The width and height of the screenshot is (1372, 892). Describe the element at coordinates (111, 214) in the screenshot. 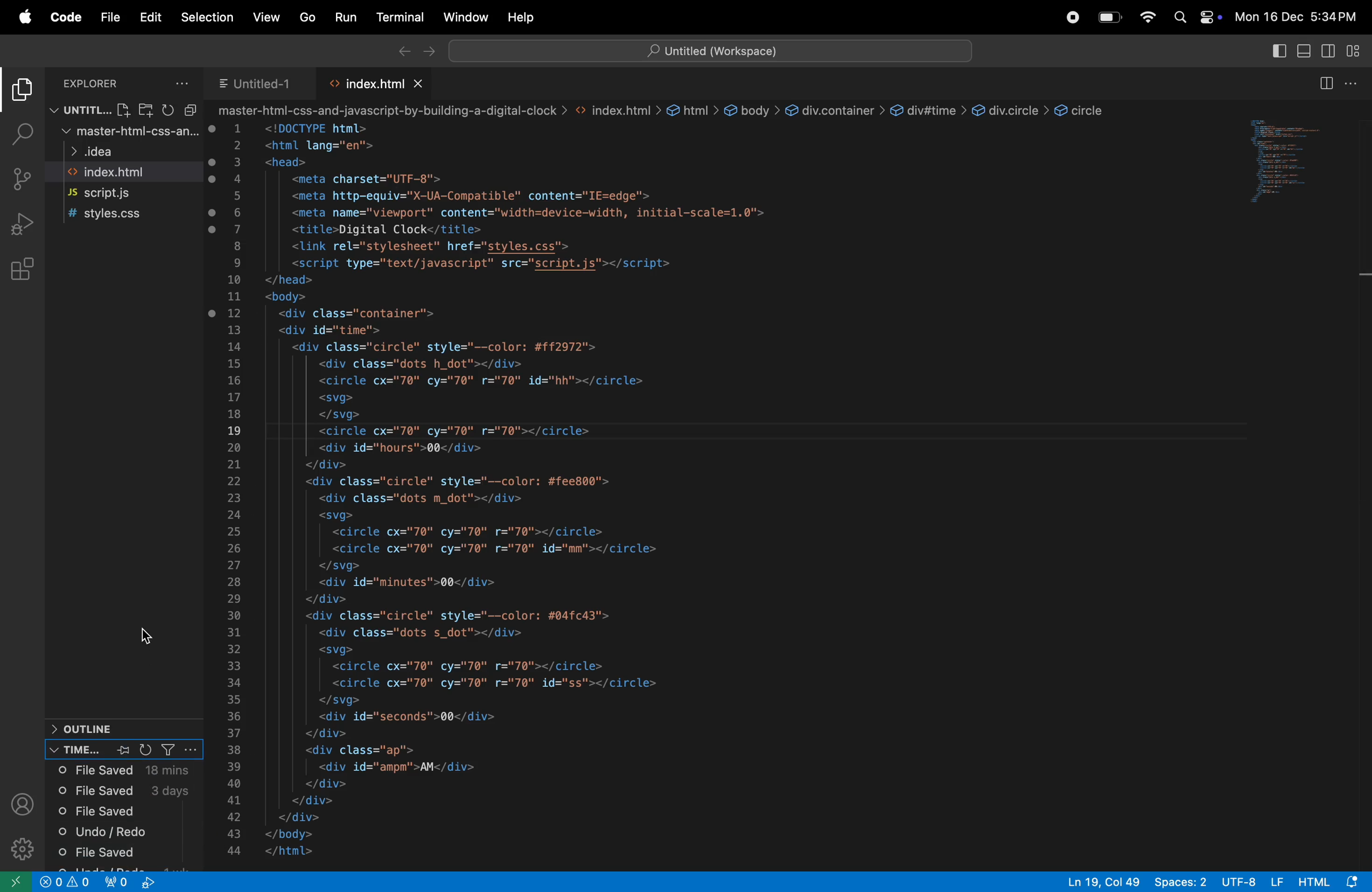

I see `syles.js` at that location.